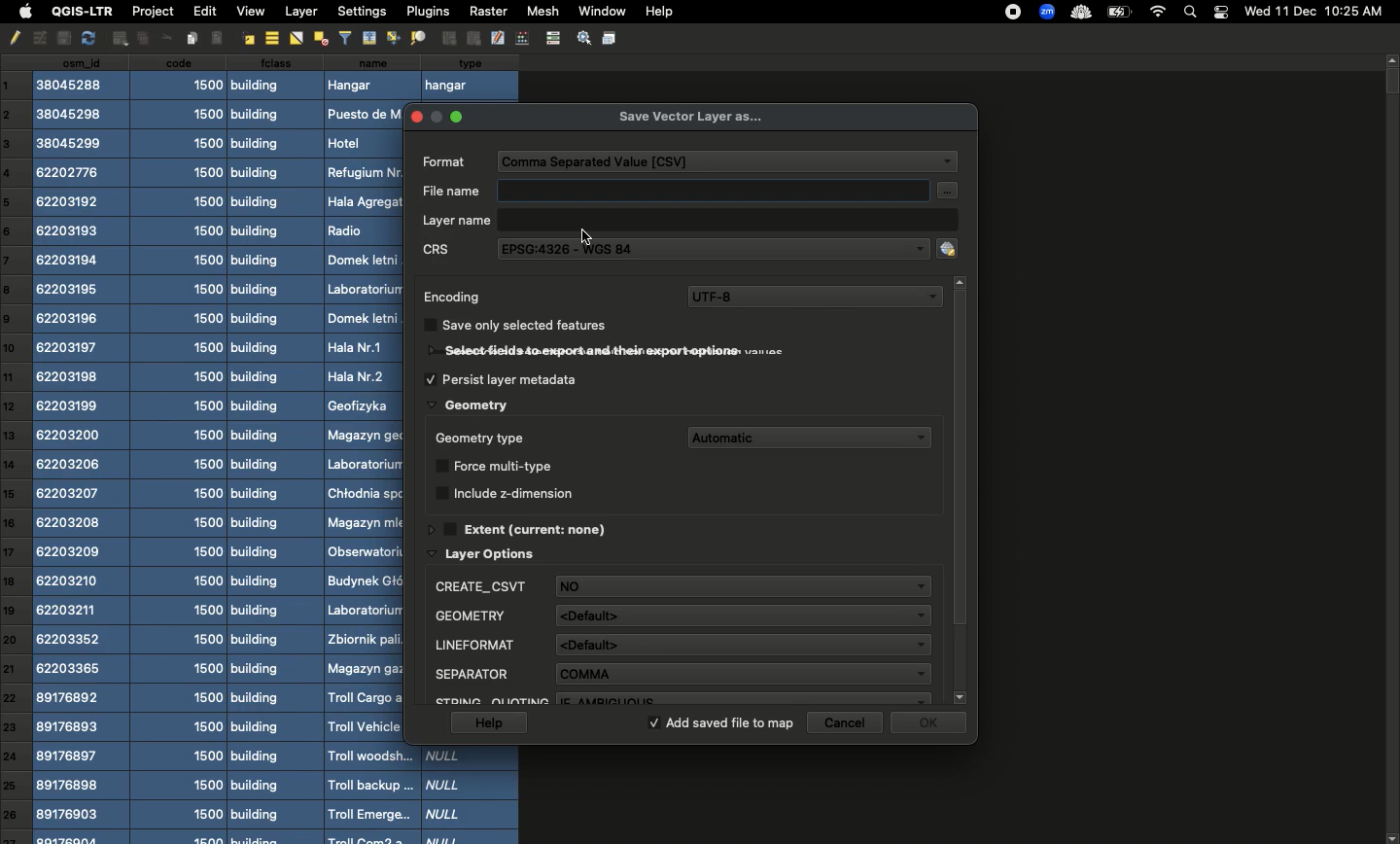  What do you see at coordinates (60, 38) in the screenshot?
I see `copy` at bounding box center [60, 38].